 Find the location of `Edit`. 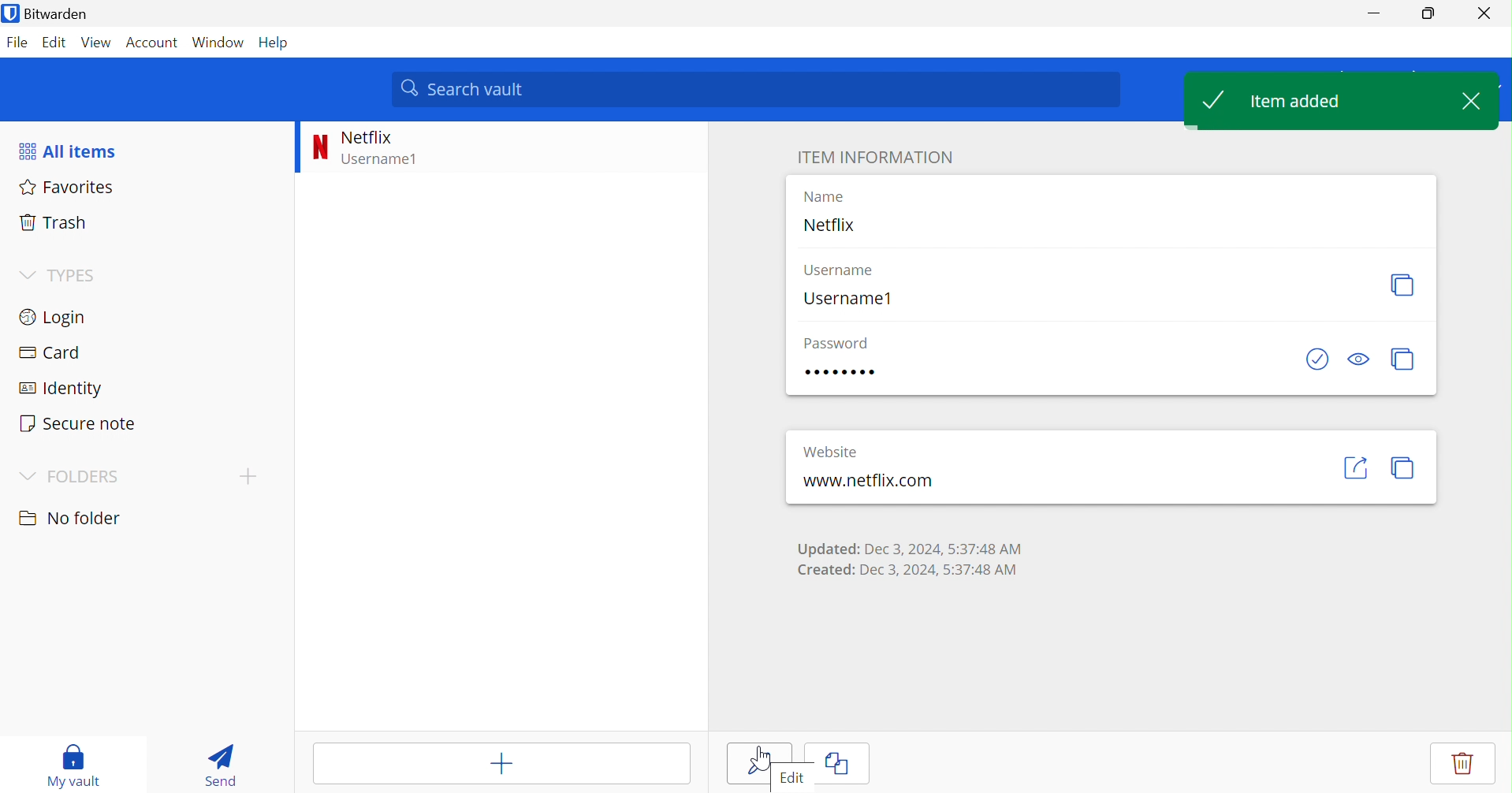

Edit is located at coordinates (56, 43).